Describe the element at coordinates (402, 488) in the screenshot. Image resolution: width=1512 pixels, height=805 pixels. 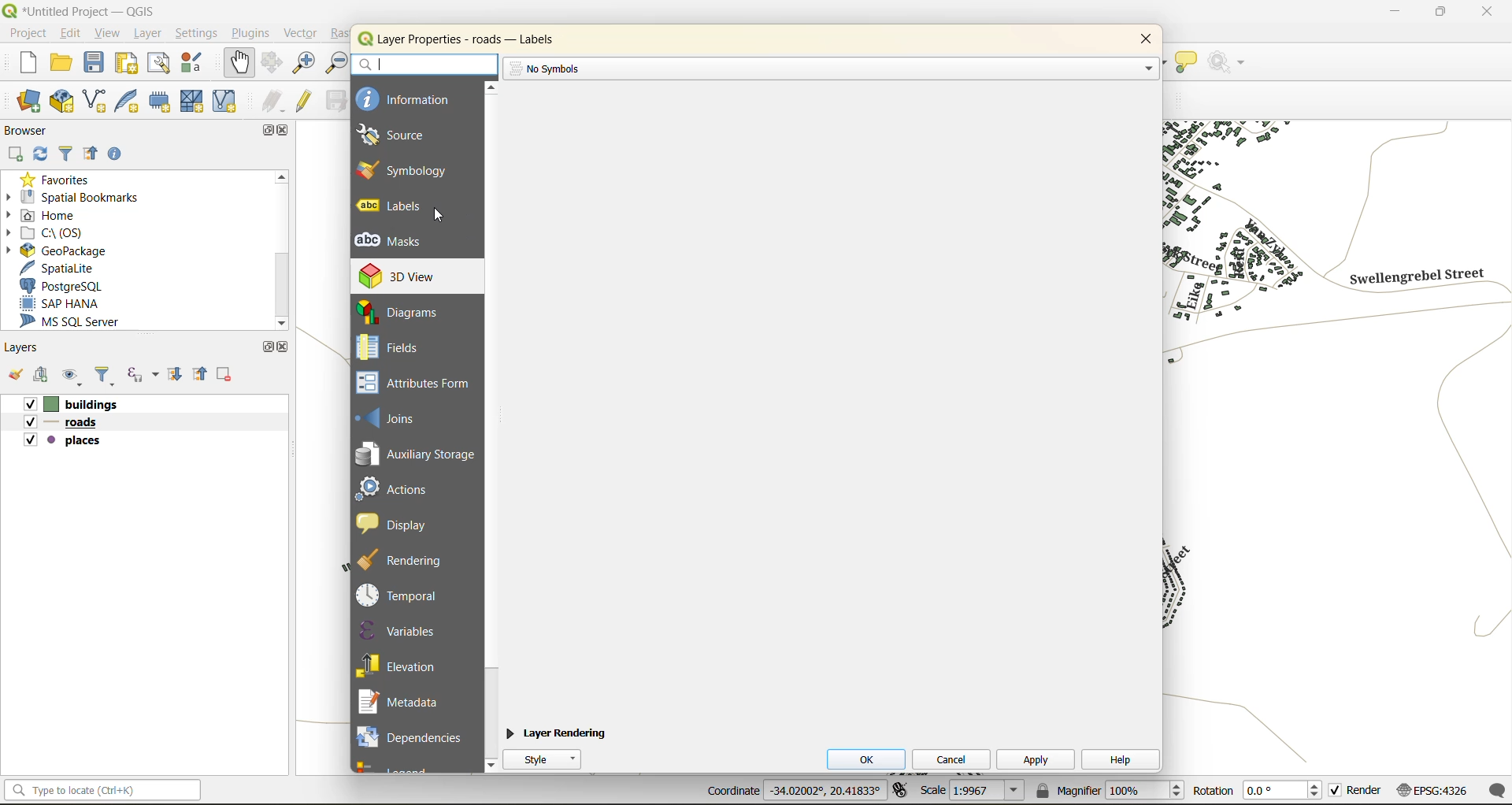
I see `actions` at that location.